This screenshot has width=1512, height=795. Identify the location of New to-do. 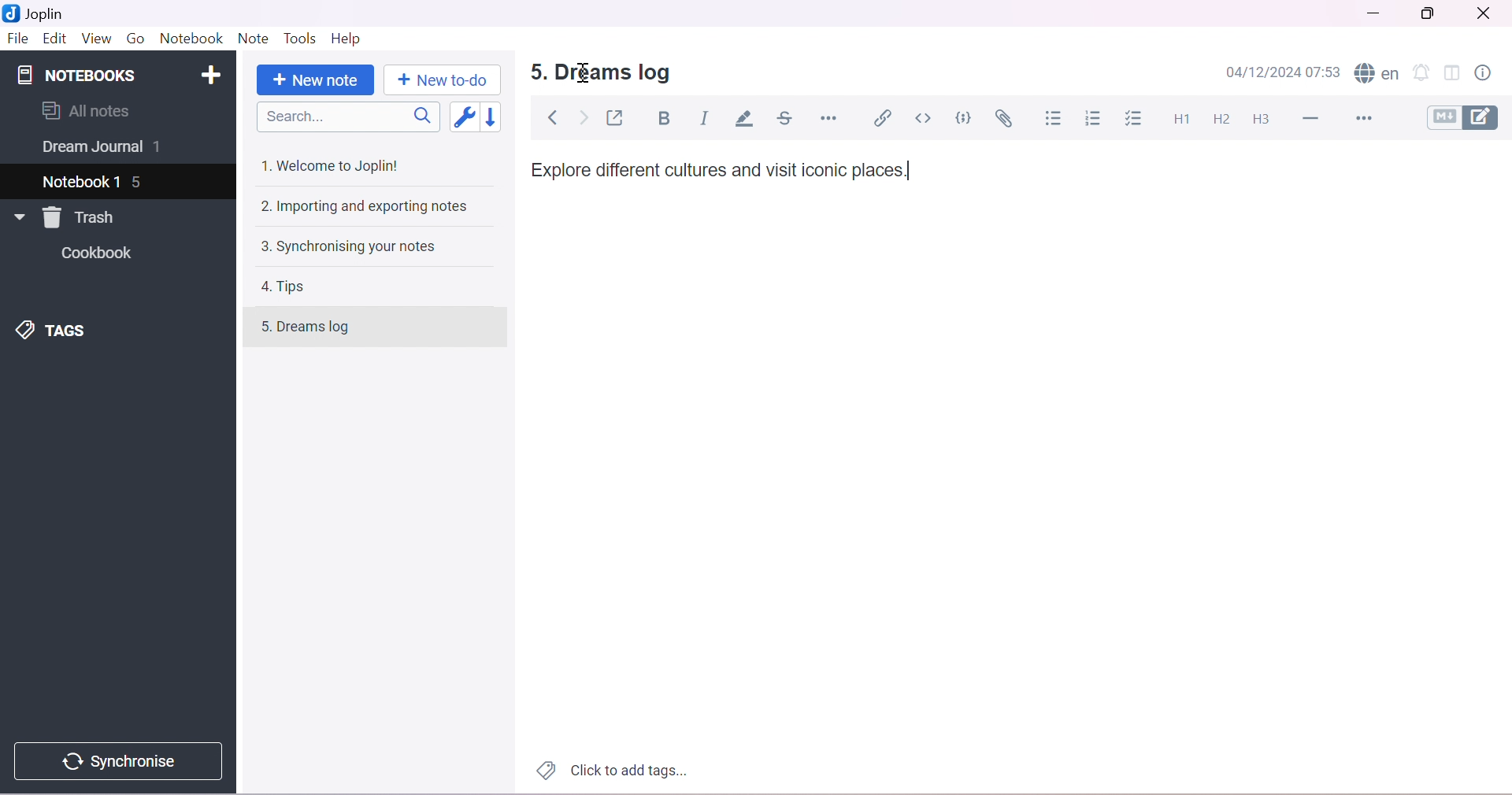
(441, 80).